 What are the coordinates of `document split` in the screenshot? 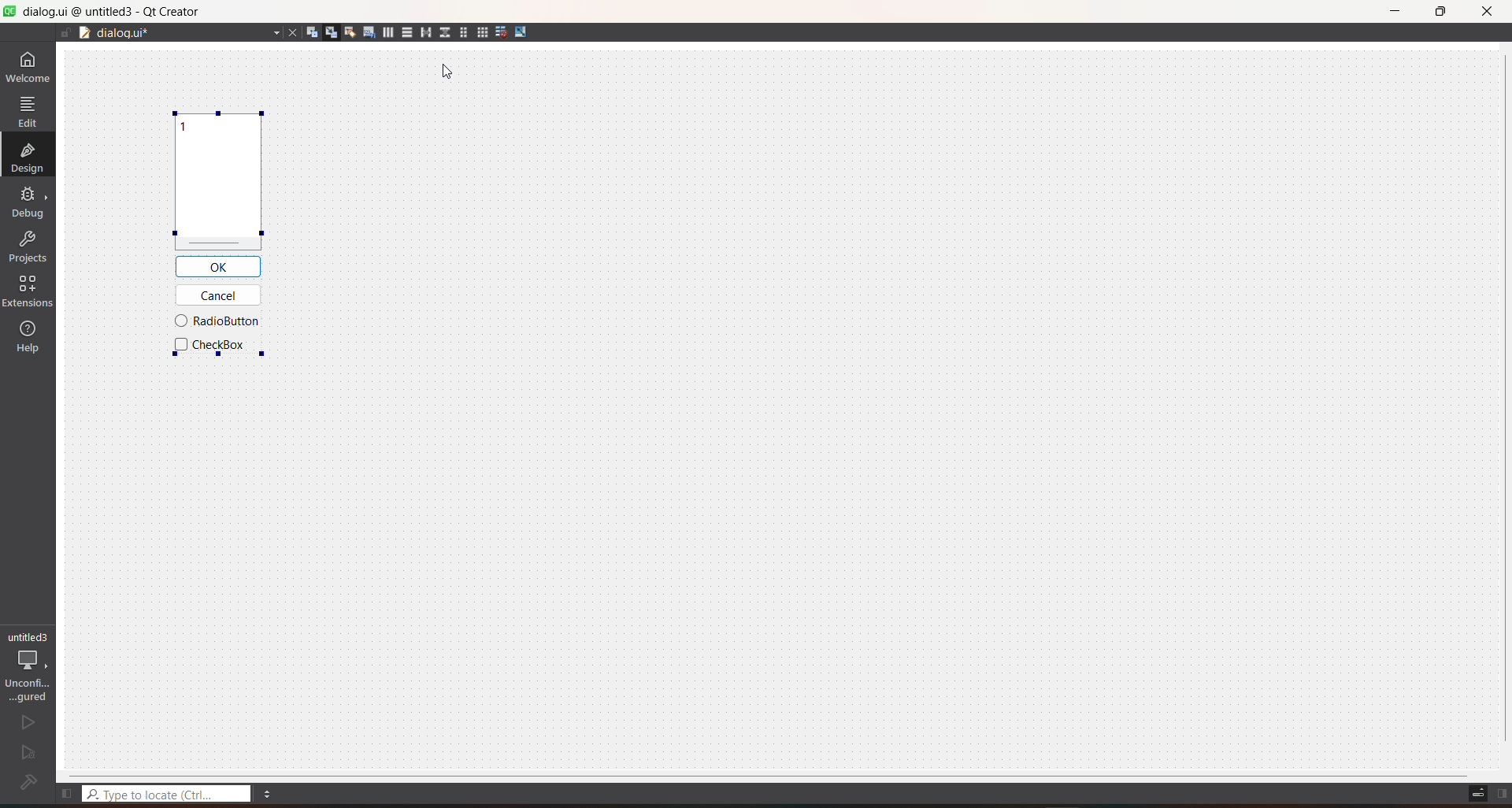 It's located at (83, 33).